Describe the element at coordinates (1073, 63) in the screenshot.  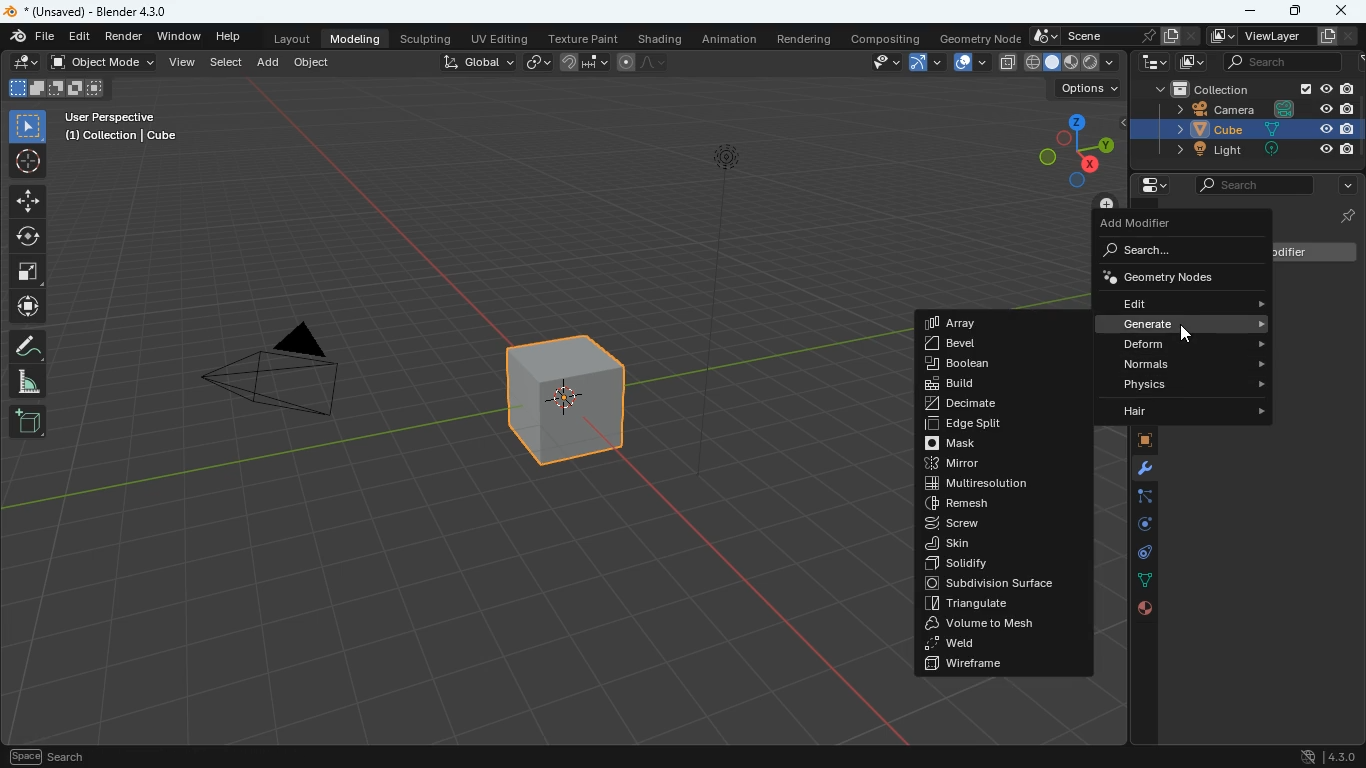
I see `image type` at that location.